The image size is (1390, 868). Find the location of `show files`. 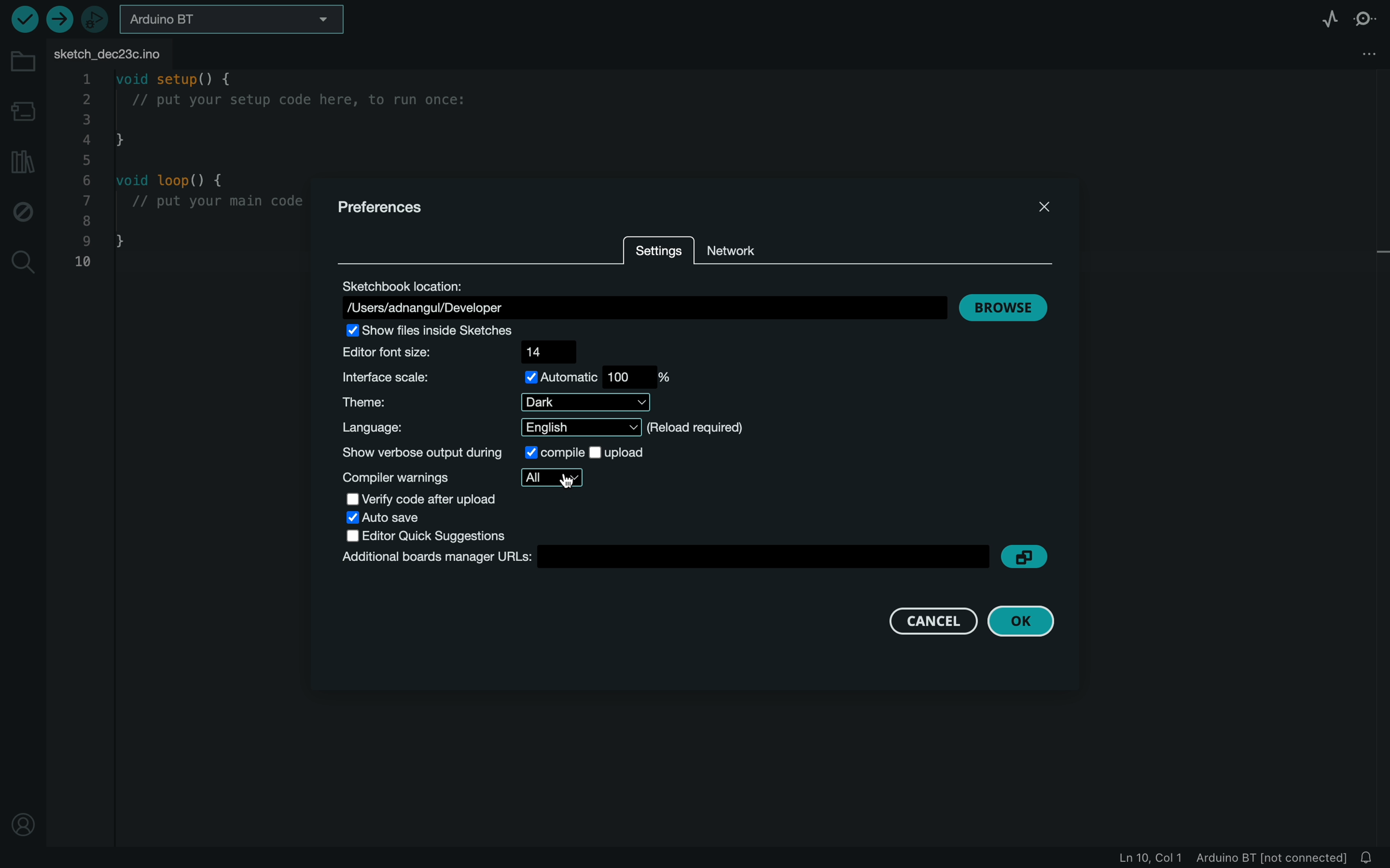

show files is located at coordinates (458, 333).